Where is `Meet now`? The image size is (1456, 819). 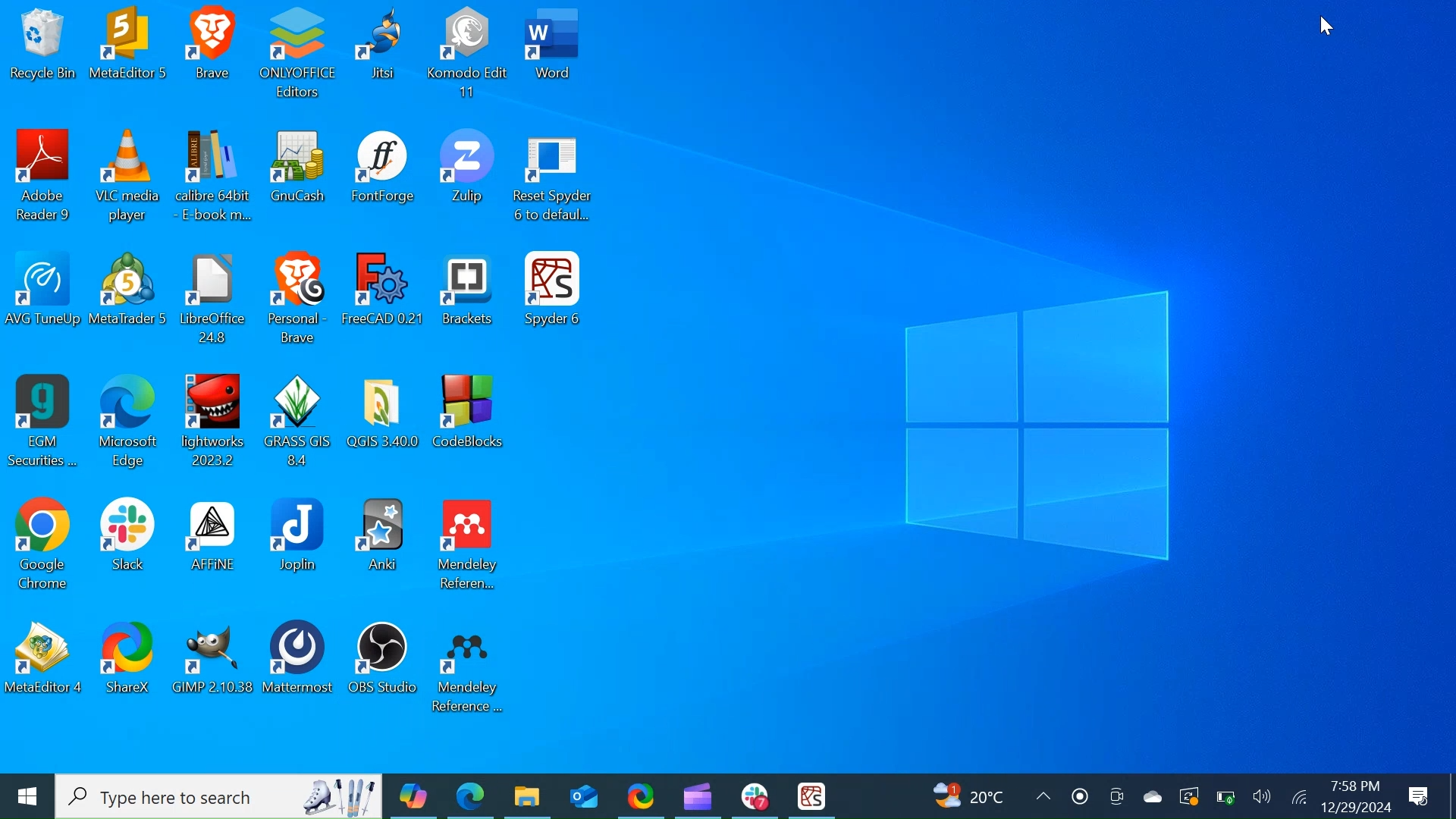
Meet now is located at coordinates (1114, 795).